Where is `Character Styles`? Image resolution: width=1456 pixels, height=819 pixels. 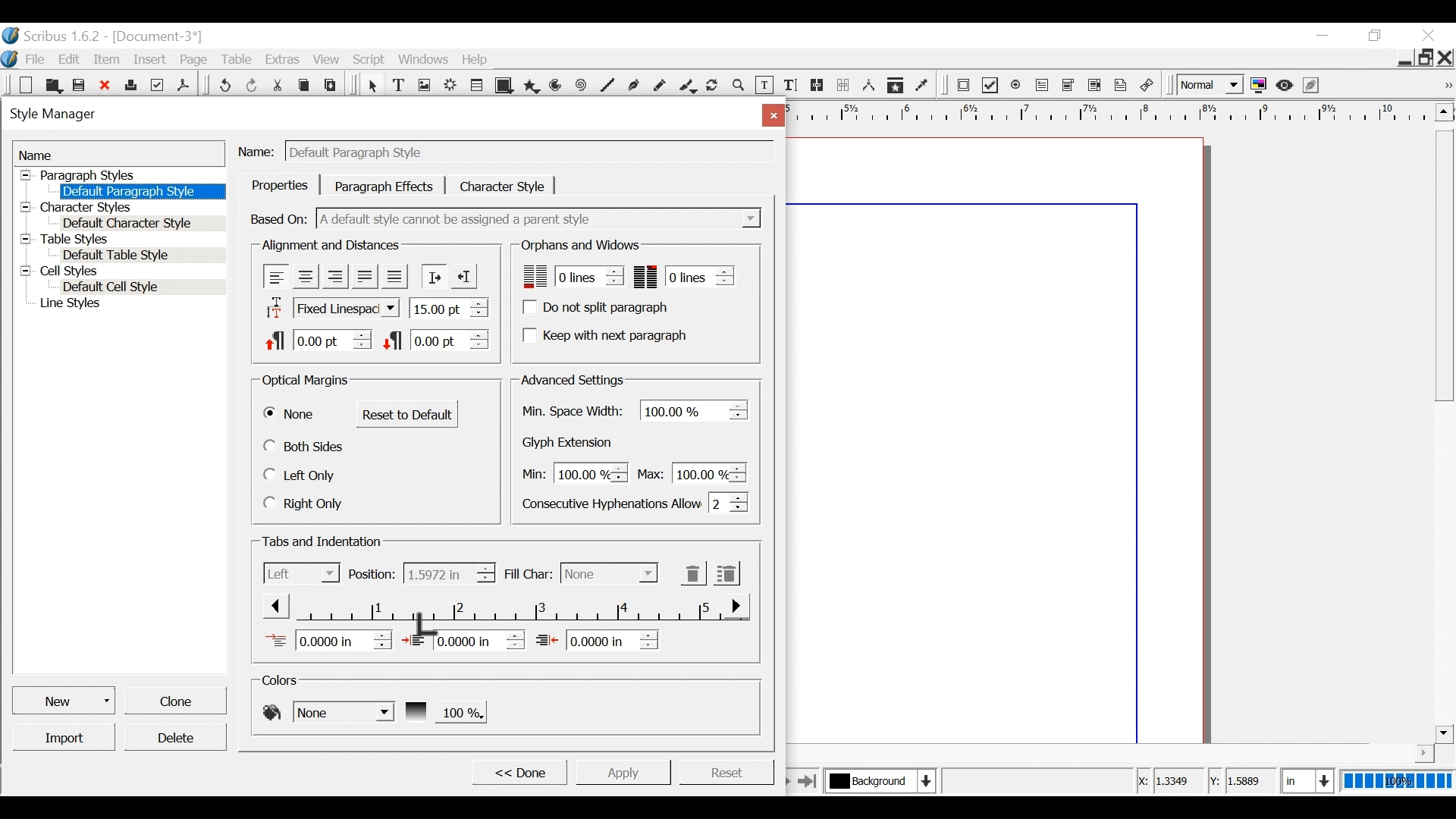
Character Styles is located at coordinates (120, 208).